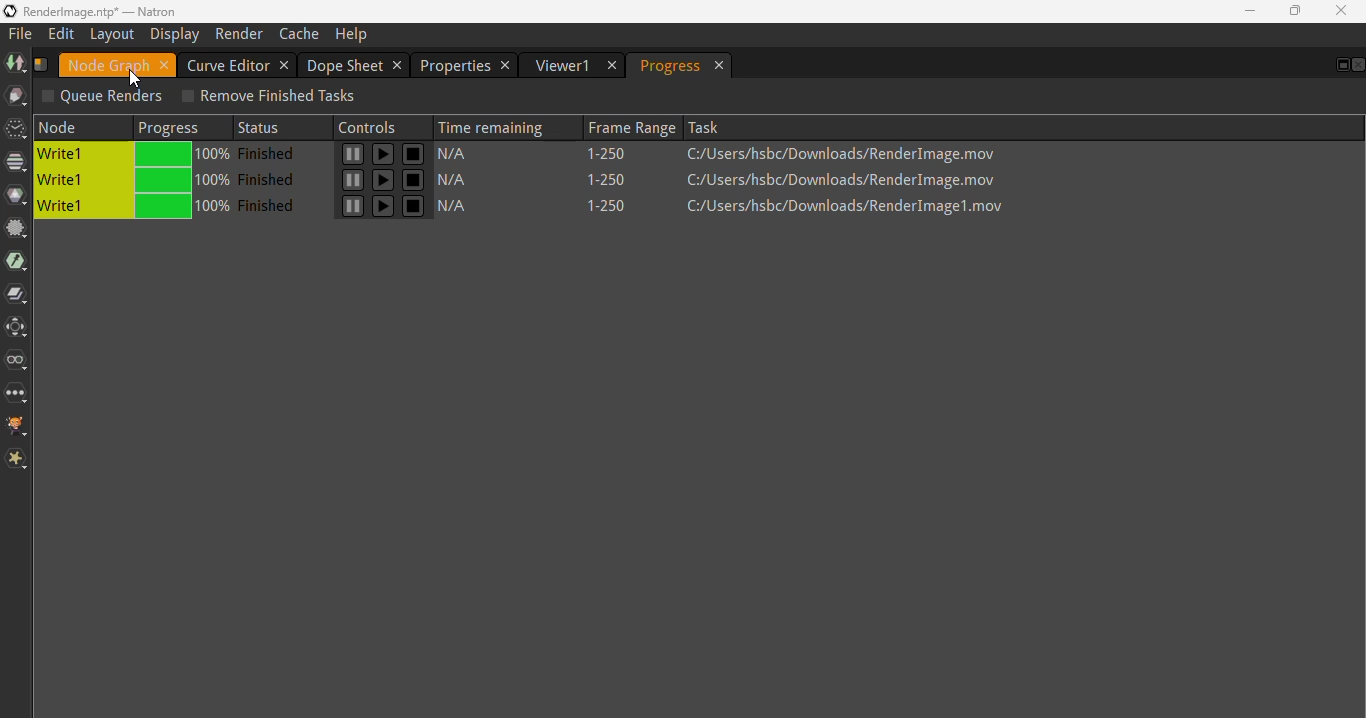  I want to click on pause, so click(384, 180).